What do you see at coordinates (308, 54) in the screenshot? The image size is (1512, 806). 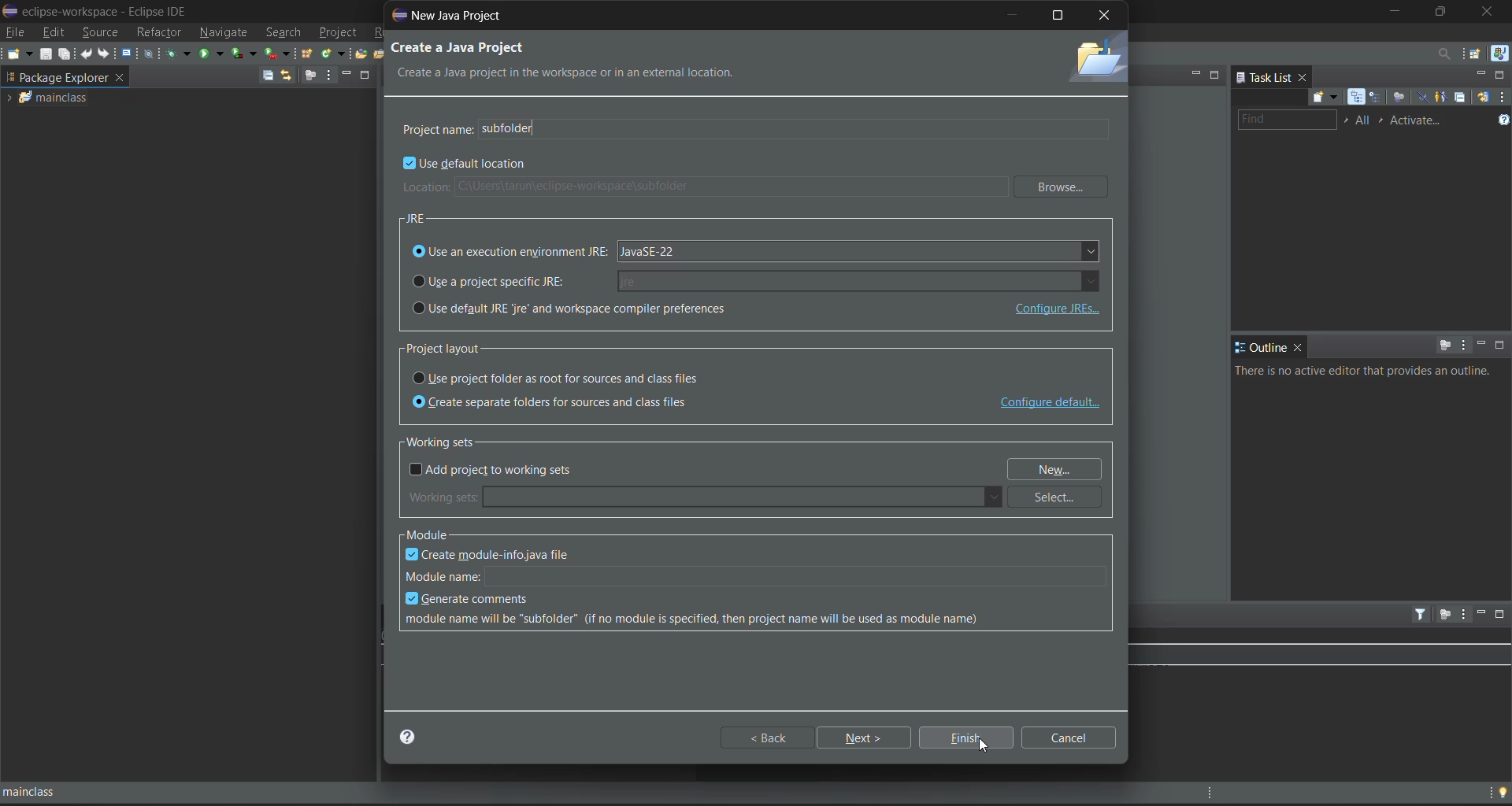 I see `new java package` at bounding box center [308, 54].